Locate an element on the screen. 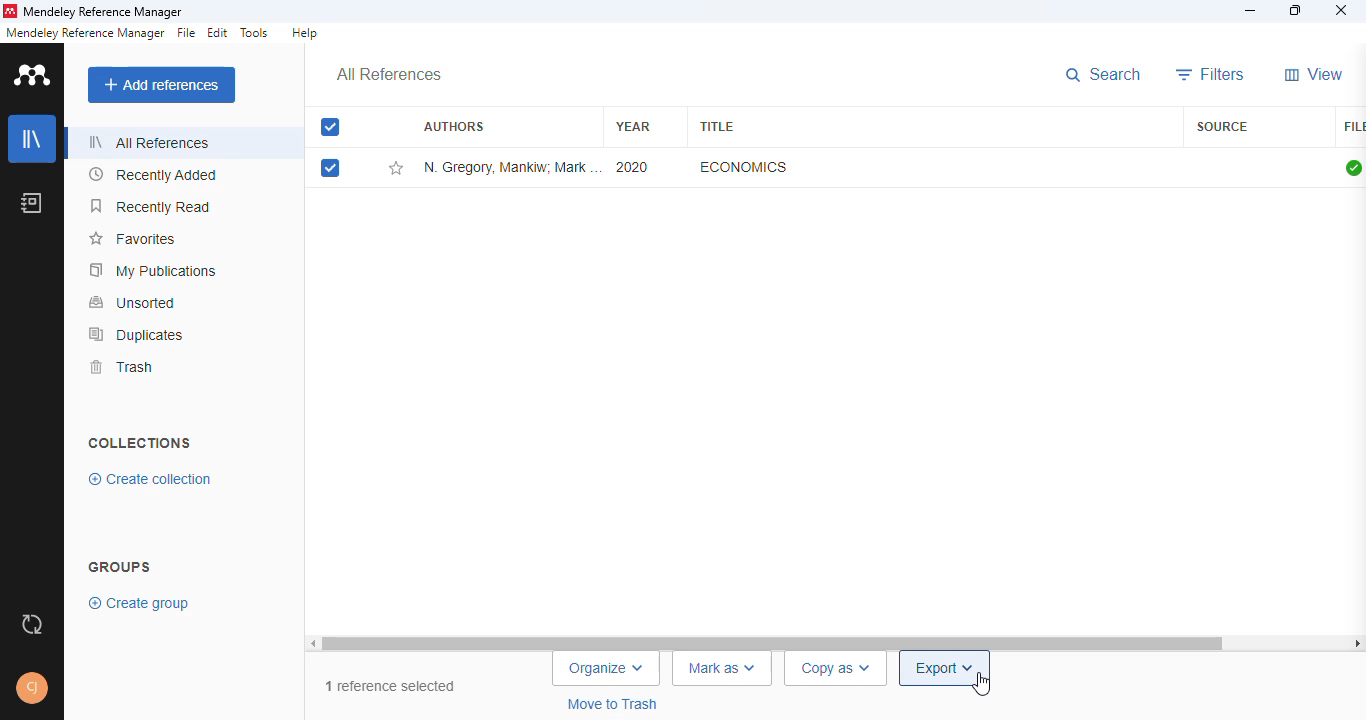 The height and width of the screenshot is (720, 1366). export is located at coordinates (945, 669).